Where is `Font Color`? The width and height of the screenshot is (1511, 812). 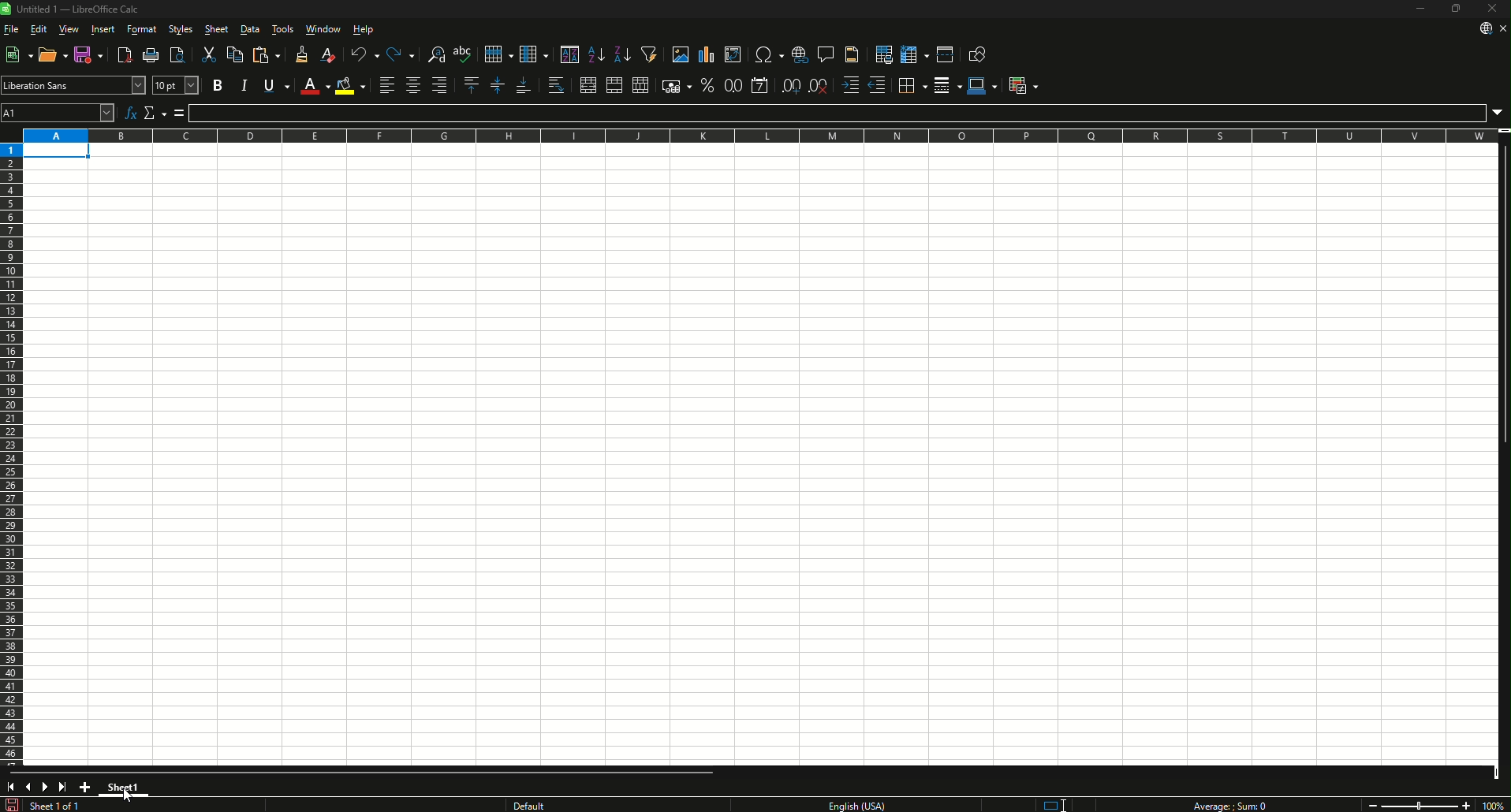
Font Color is located at coordinates (315, 86).